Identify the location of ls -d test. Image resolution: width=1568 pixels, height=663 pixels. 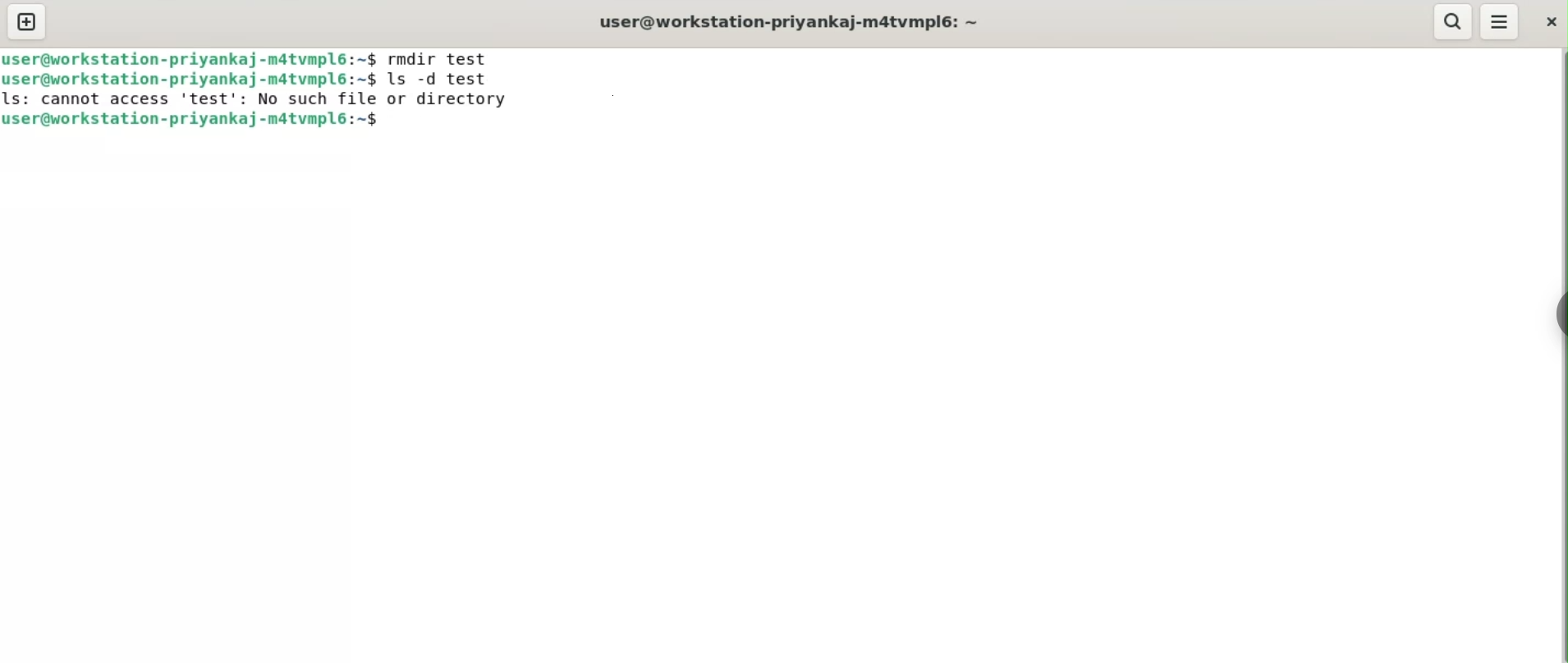
(438, 80).